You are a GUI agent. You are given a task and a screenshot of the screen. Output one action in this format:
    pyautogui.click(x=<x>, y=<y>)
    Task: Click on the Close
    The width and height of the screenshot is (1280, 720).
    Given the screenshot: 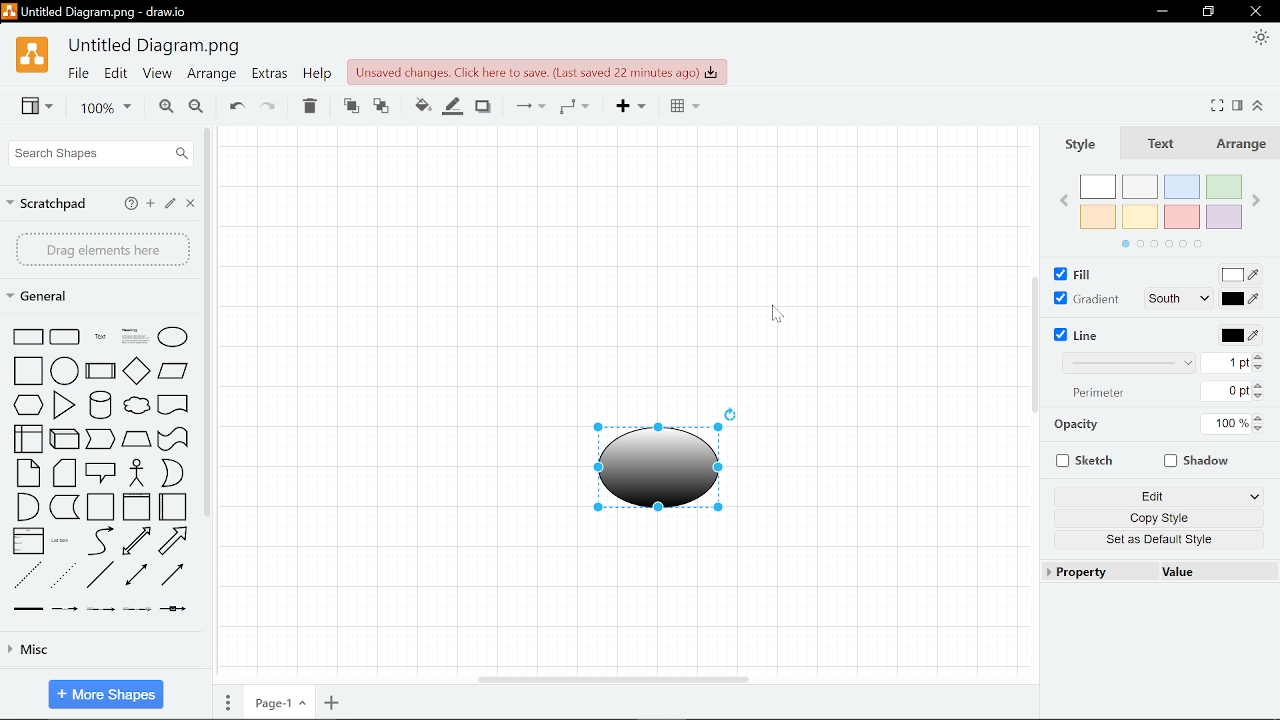 What is the action you would take?
    pyautogui.click(x=1255, y=12)
    